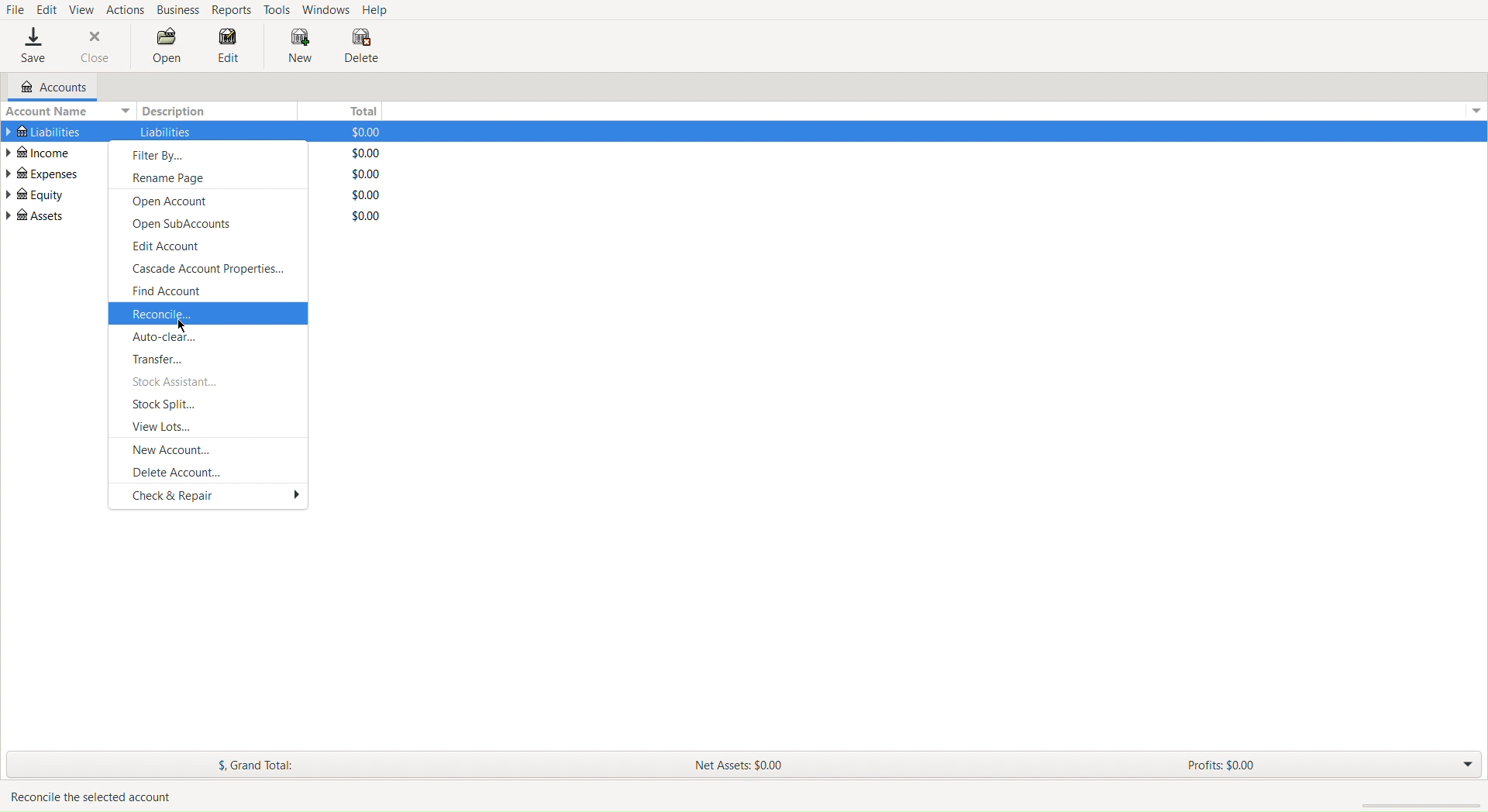  Describe the element at coordinates (1473, 112) in the screenshot. I see `Drop Down` at that location.